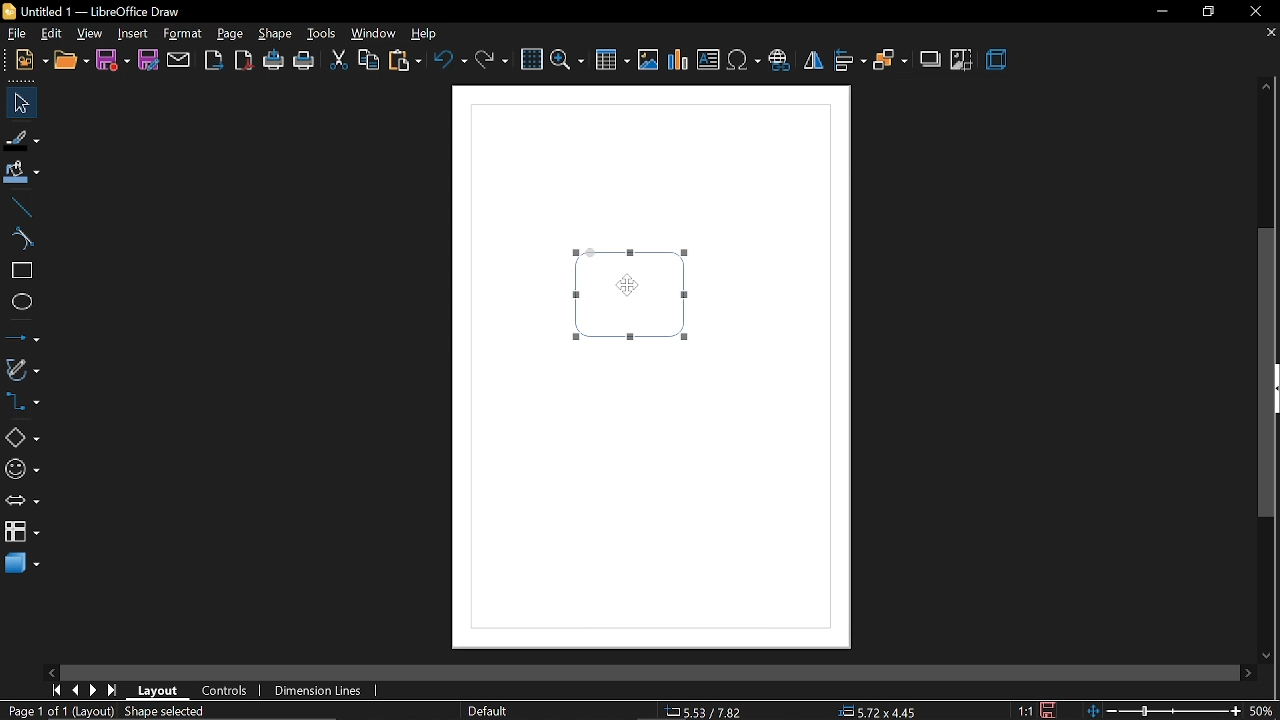 Image resolution: width=1280 pixels, height=720 pixels. What do you see at coordinates (22, 337) in the screenshot?
I see `lines and arrows` at bounding box center [22, 337].